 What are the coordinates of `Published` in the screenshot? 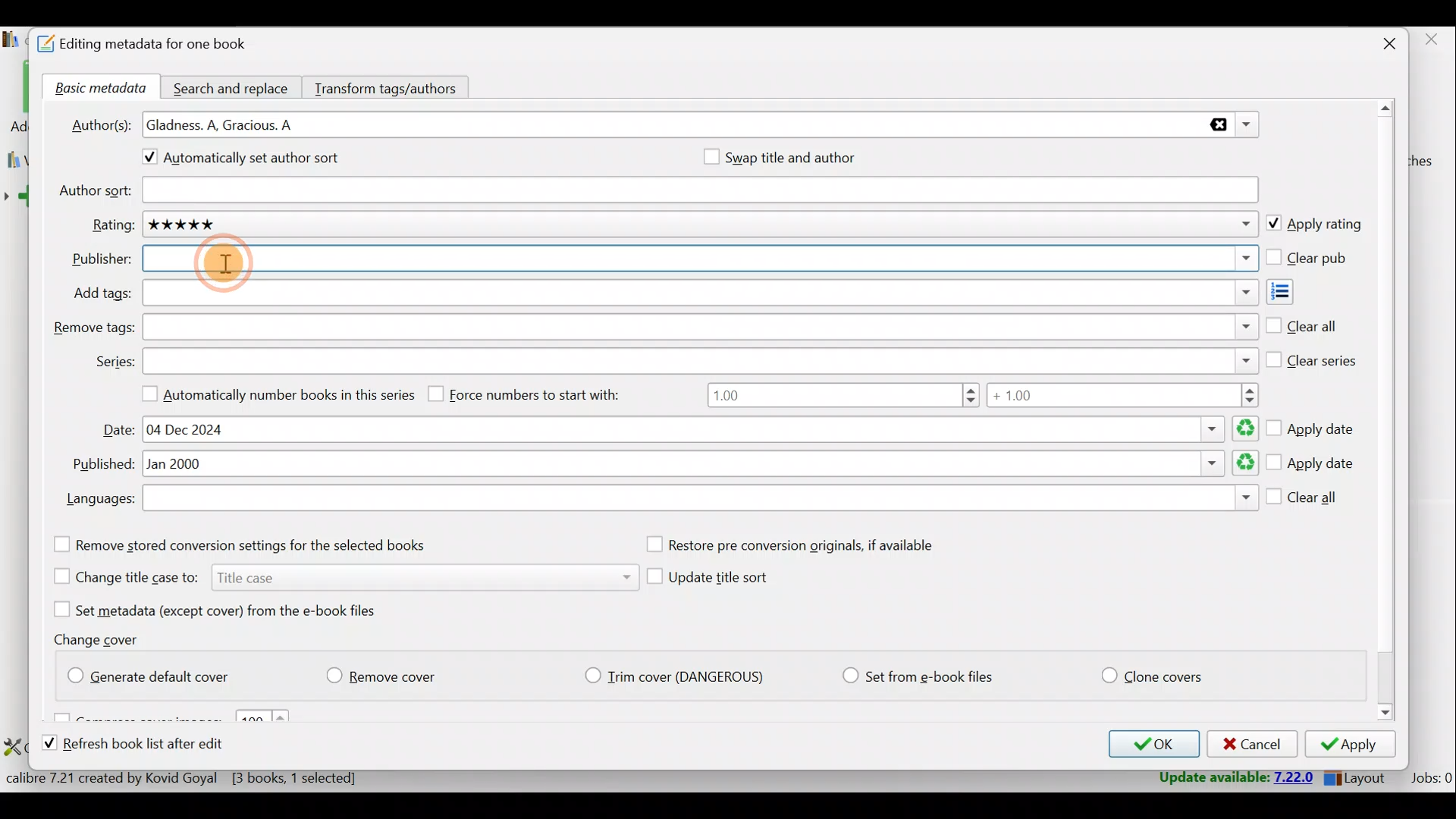 It's located at (701, 465).